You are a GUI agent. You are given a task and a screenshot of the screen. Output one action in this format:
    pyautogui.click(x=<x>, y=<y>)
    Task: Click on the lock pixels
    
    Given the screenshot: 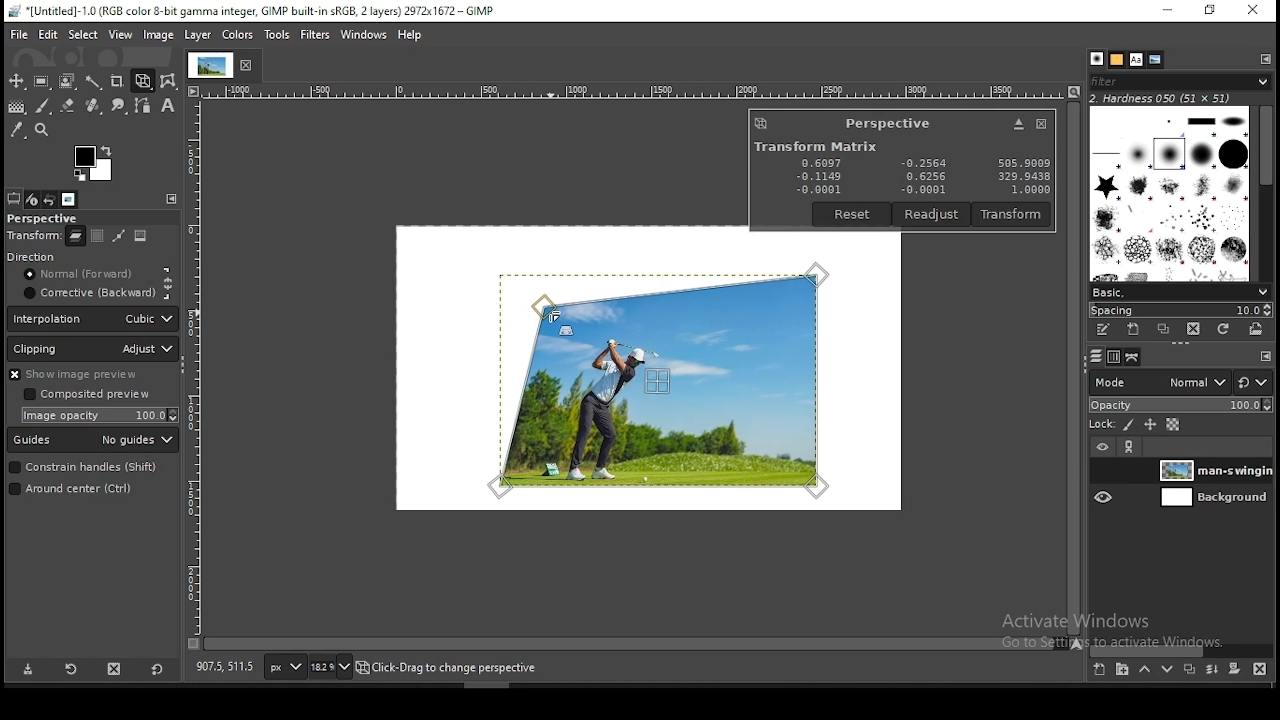 What is the action you would take?
    pyautogui.click(x=1126, y=424)
    